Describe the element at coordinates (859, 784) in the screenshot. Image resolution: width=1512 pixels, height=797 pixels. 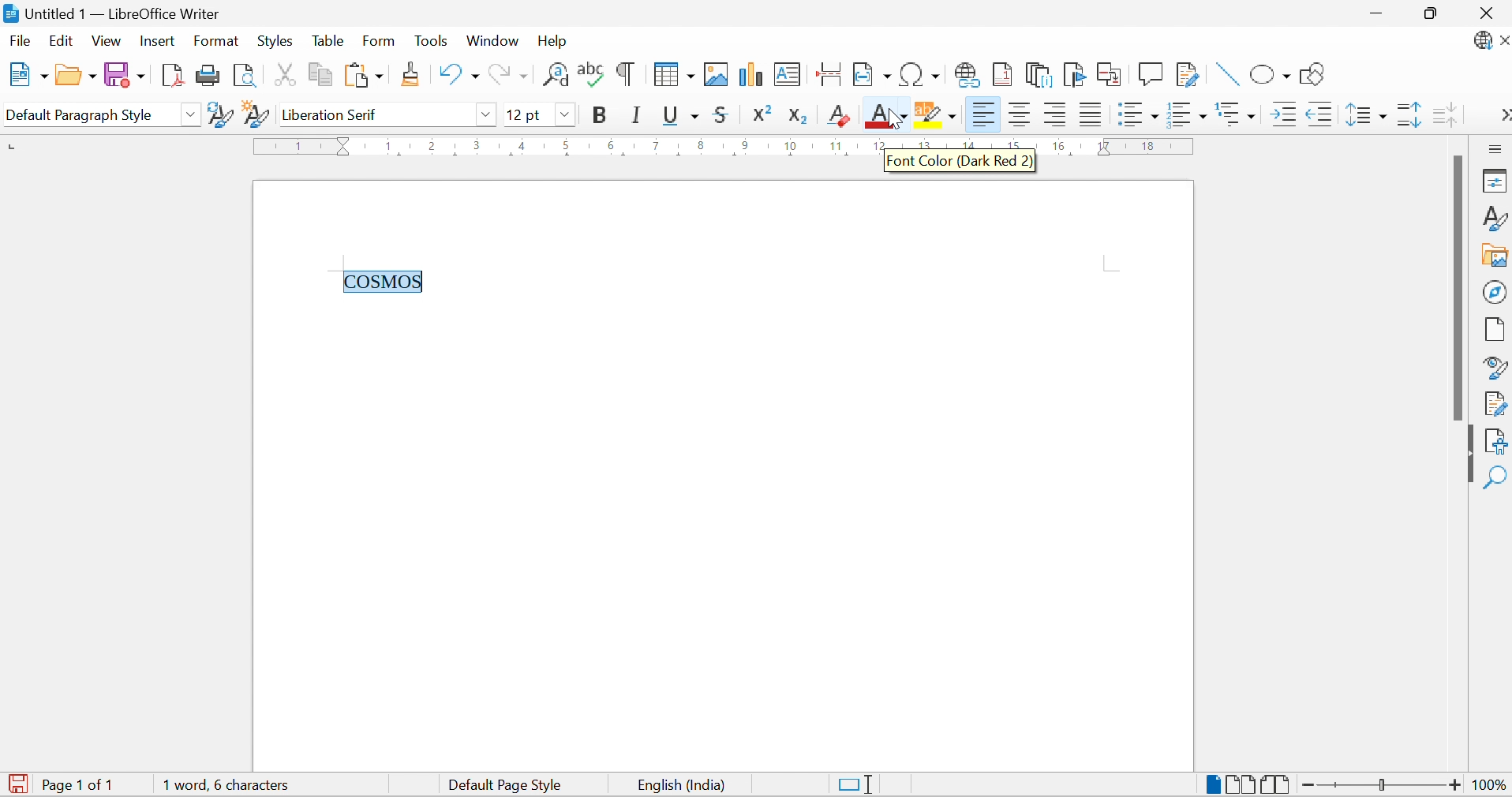
I see `Standard Selection. Click to change selection mode.` at that location.